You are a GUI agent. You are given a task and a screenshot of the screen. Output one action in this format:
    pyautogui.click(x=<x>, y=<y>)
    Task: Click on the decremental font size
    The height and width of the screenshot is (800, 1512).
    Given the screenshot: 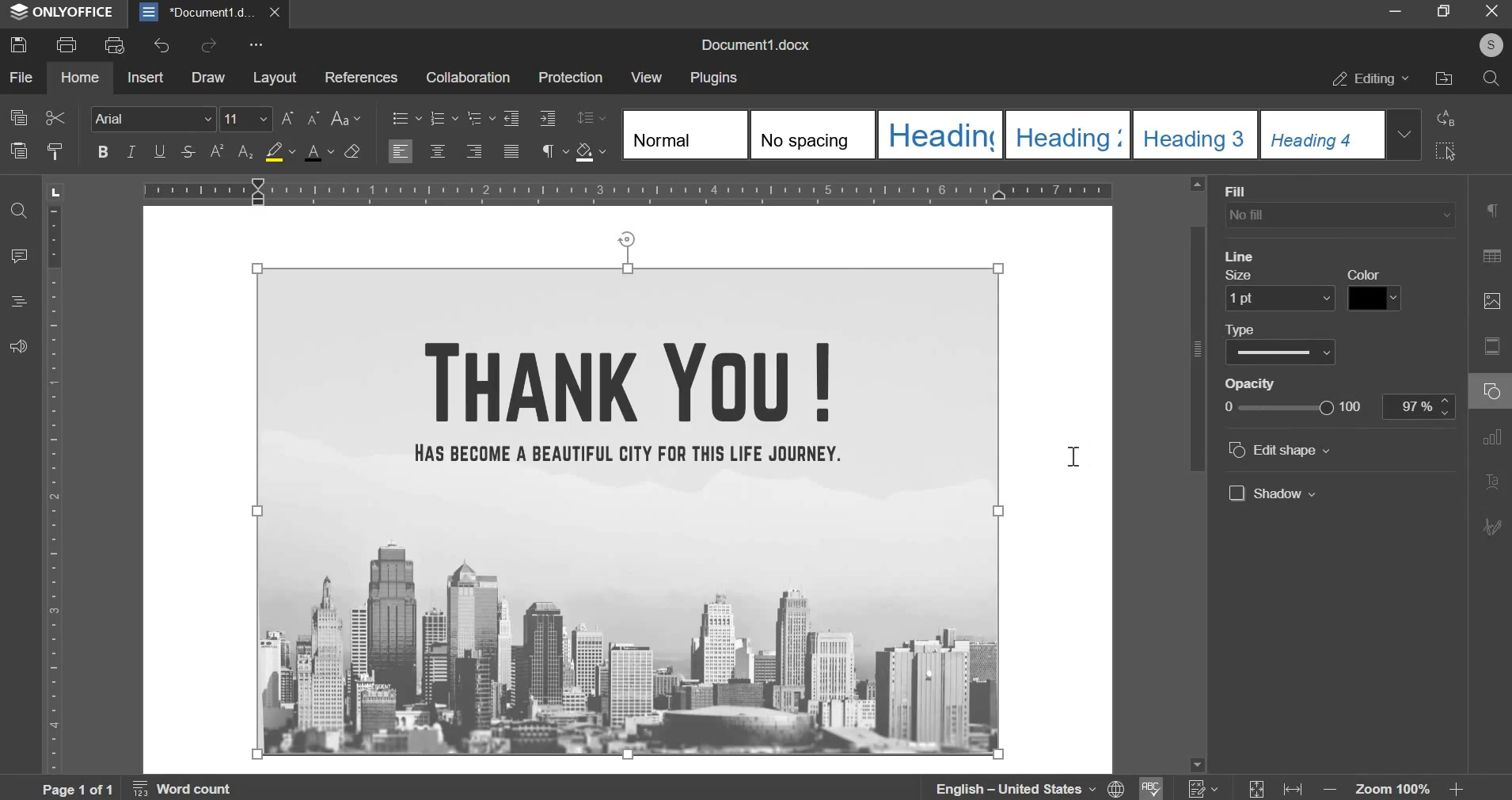 What is the action you would take?
    pyautogui.click(x=315, y=119)
    